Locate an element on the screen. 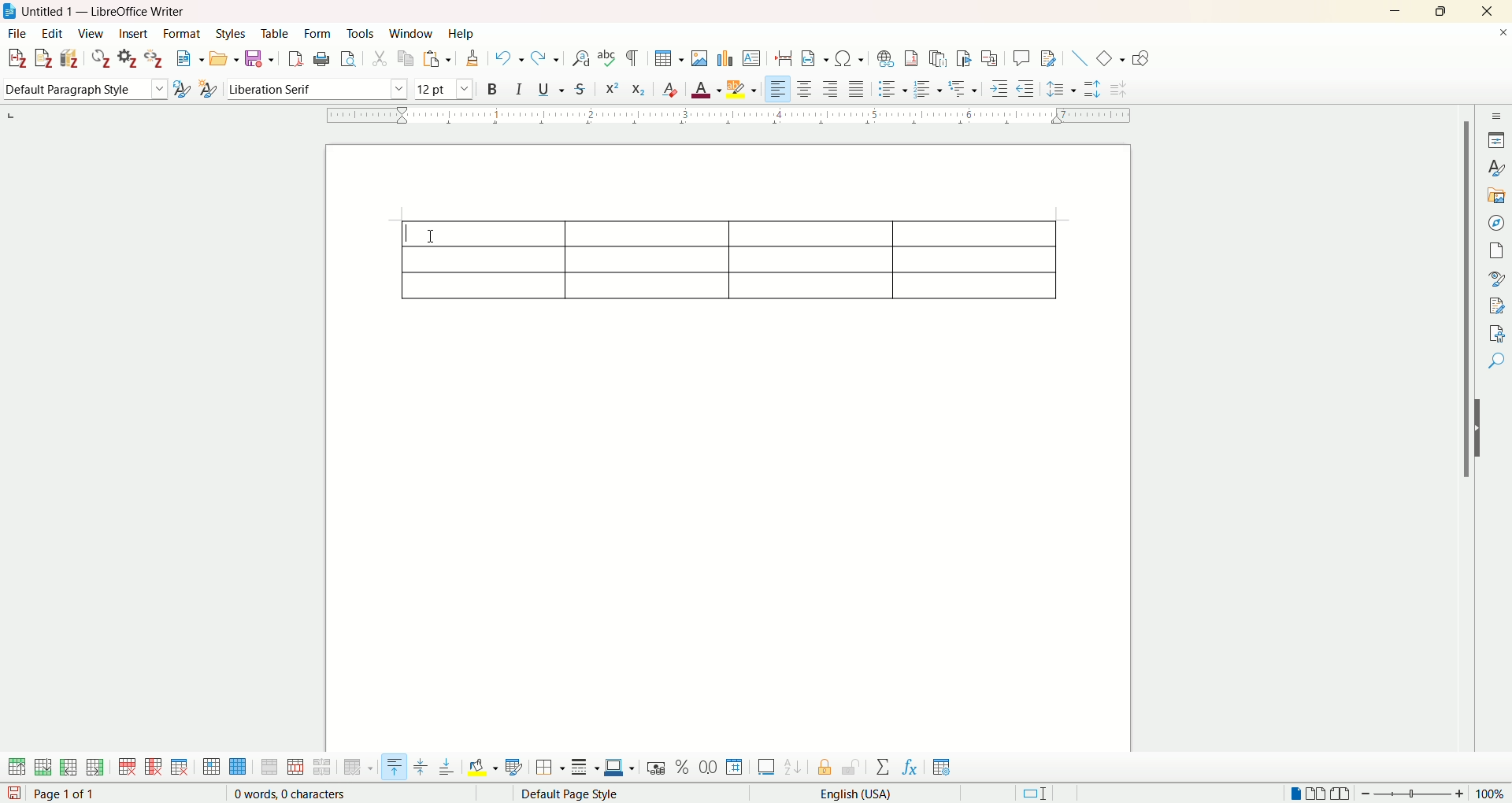  align bottom is located at coordinates (452, 768).